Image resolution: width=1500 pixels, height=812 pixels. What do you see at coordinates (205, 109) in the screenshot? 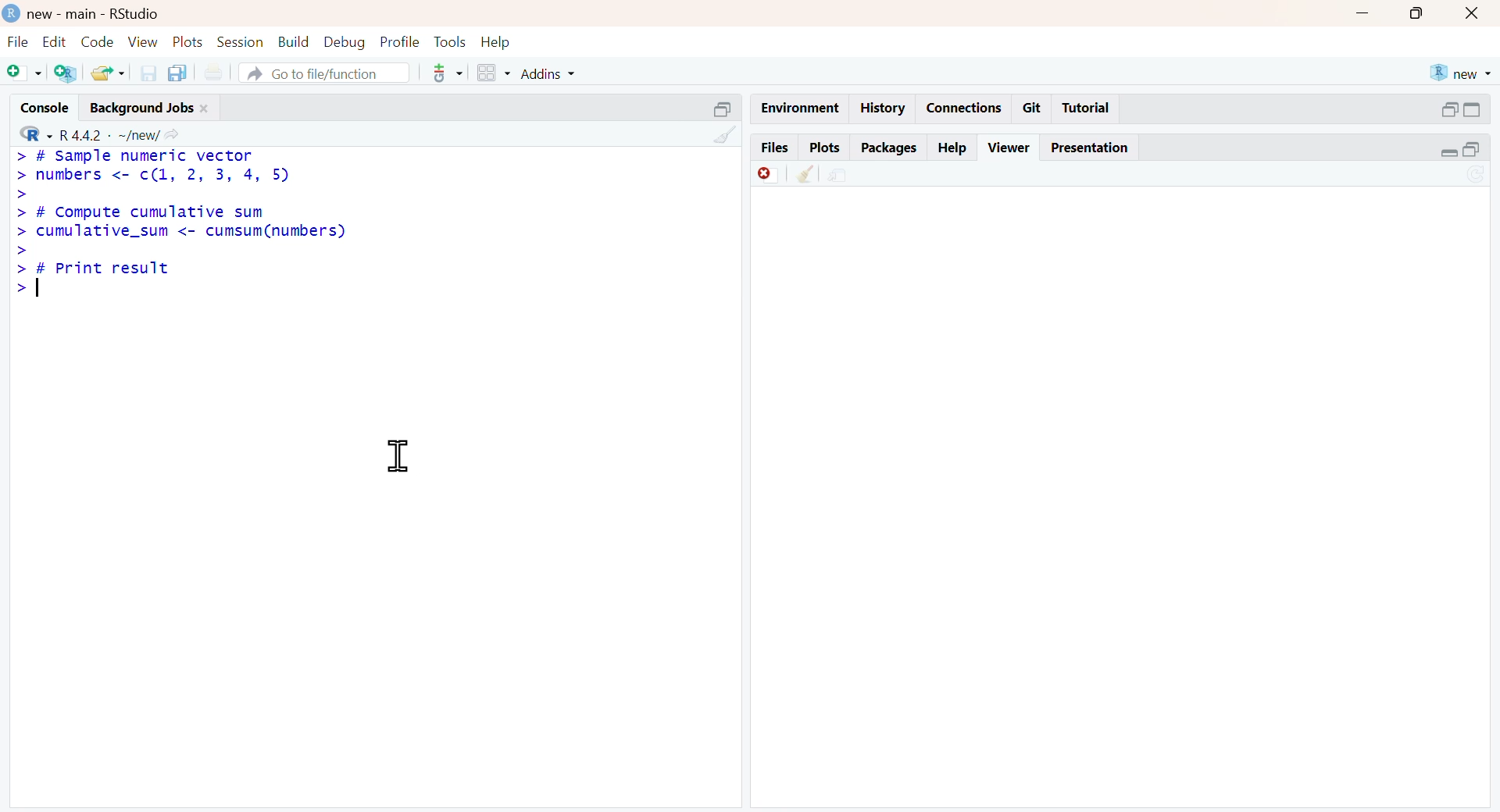
I see `close` at bounding box center [205, 109].